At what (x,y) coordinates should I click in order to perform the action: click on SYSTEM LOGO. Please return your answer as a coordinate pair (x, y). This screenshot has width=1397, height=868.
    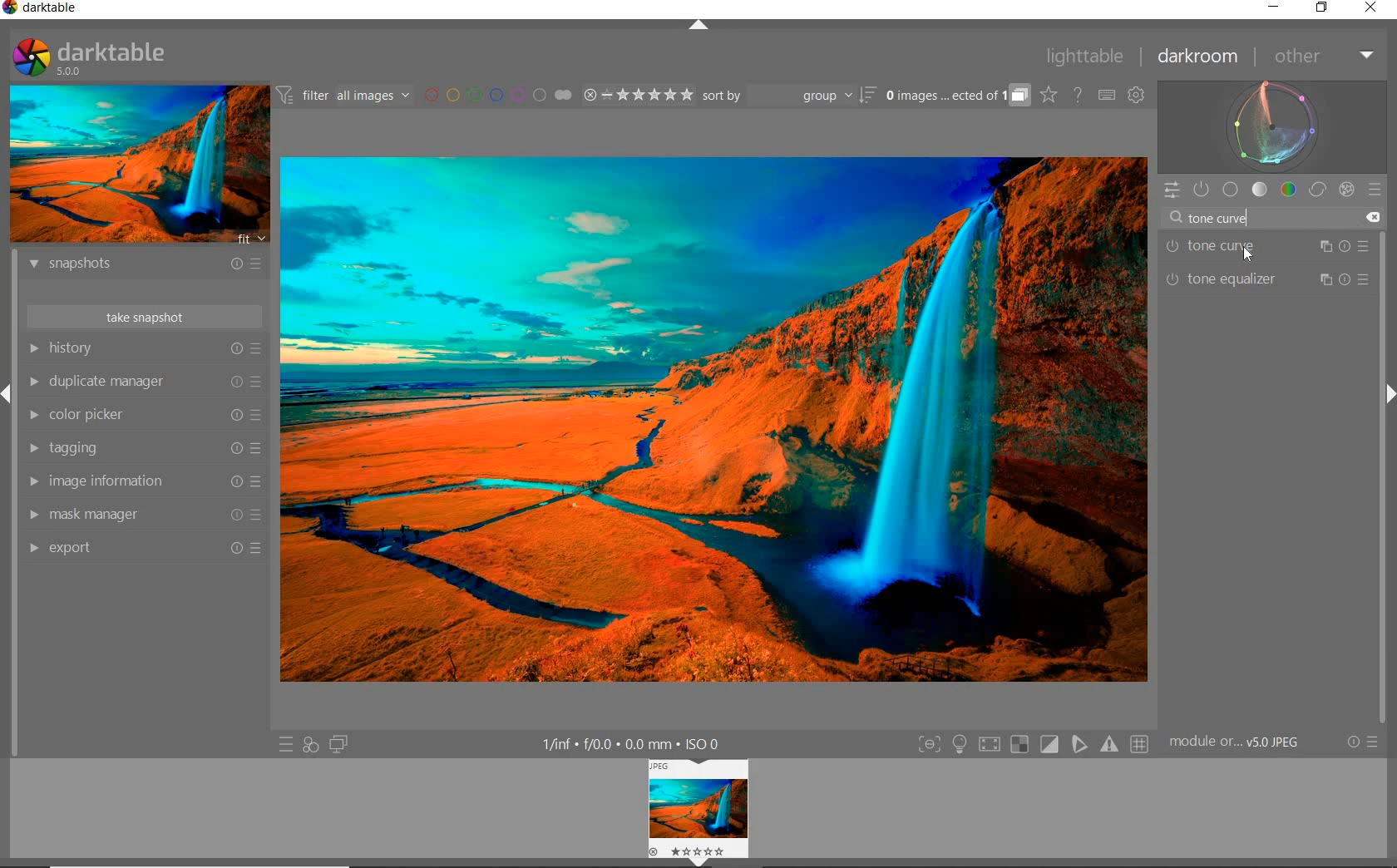
    Looking at the image, I should click on (90, 57).